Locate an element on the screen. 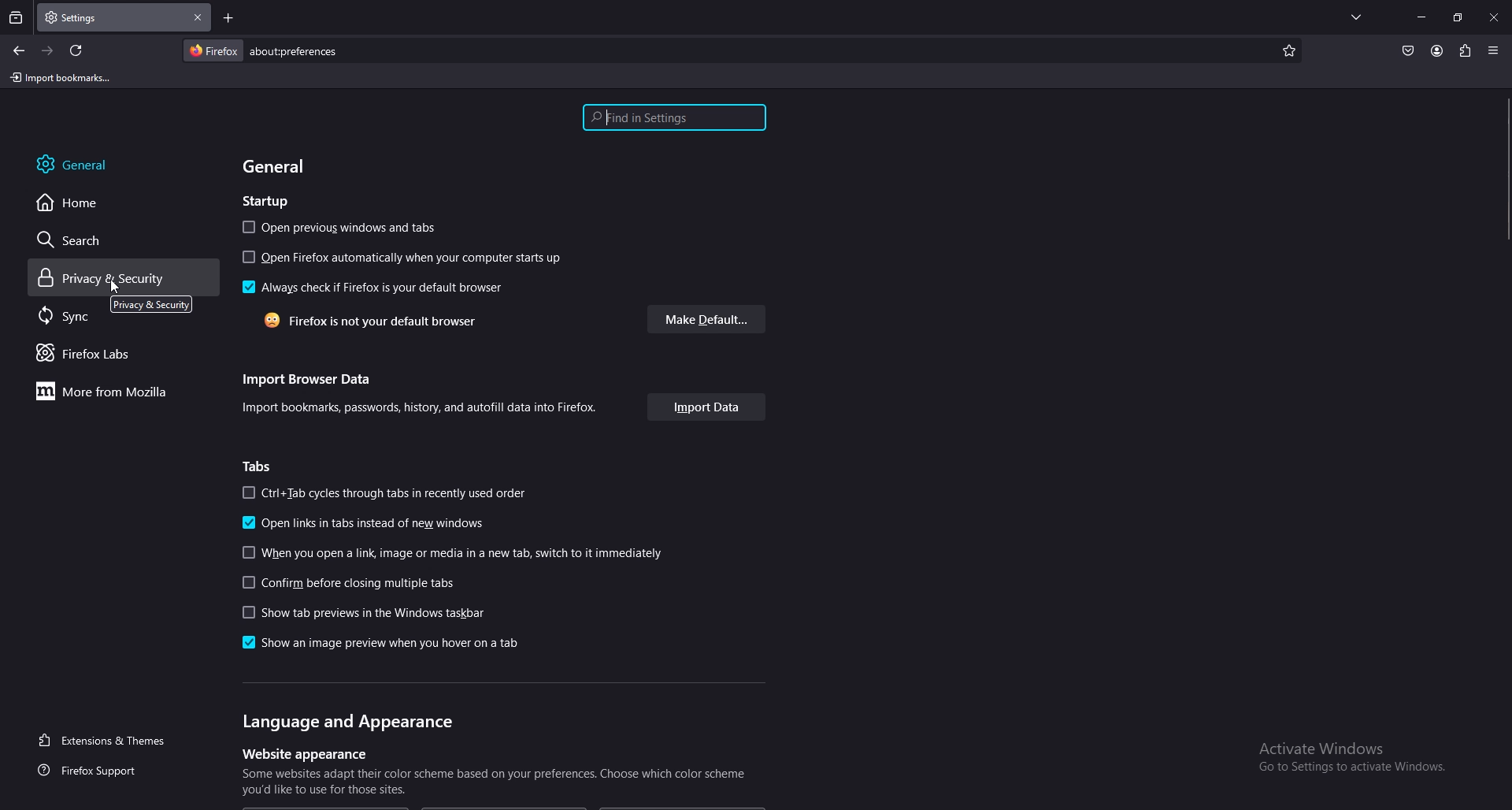  close tab is located at coordinates (198, 18).